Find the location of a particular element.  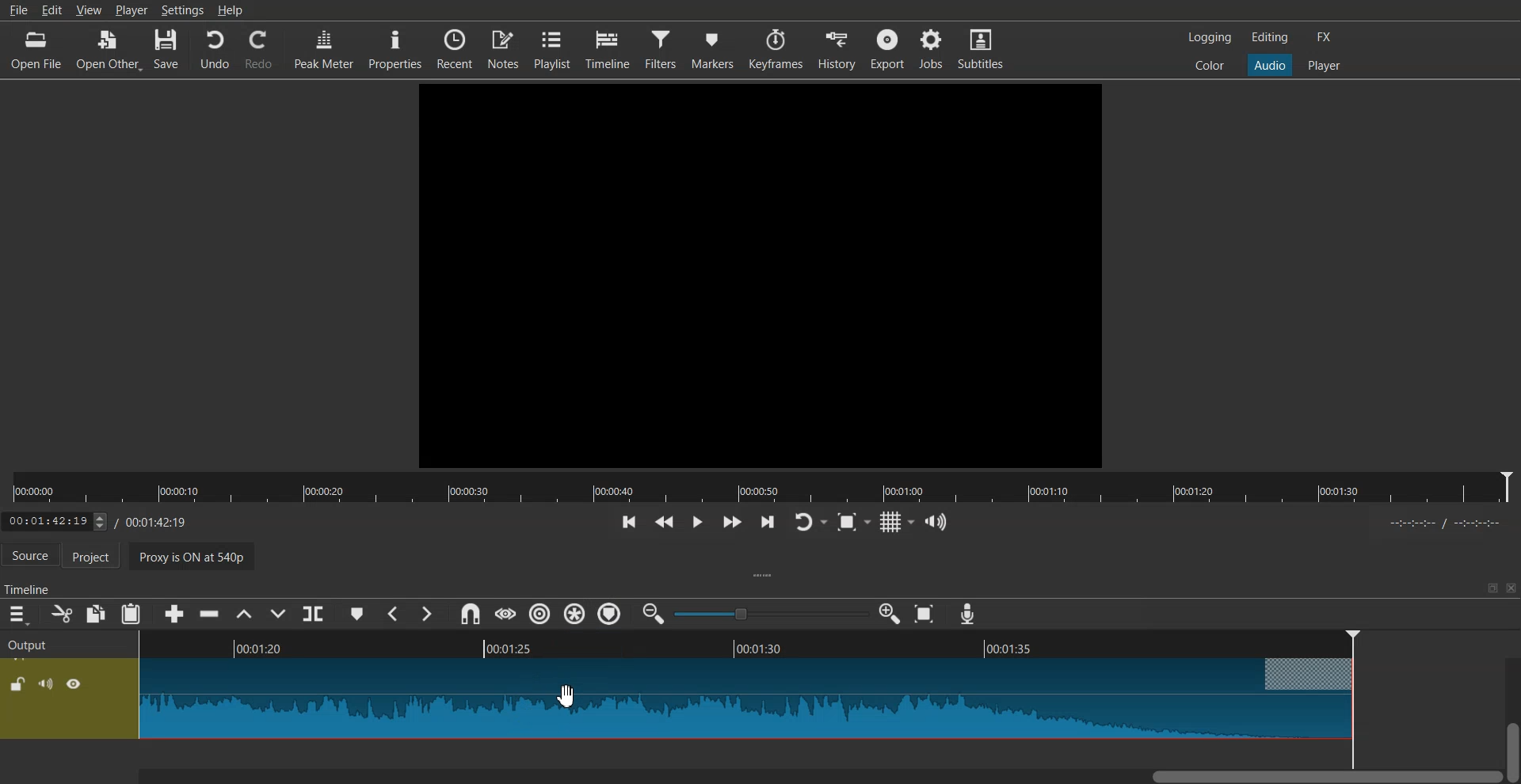

Toggle player looping is located at coordinates (810, 521).